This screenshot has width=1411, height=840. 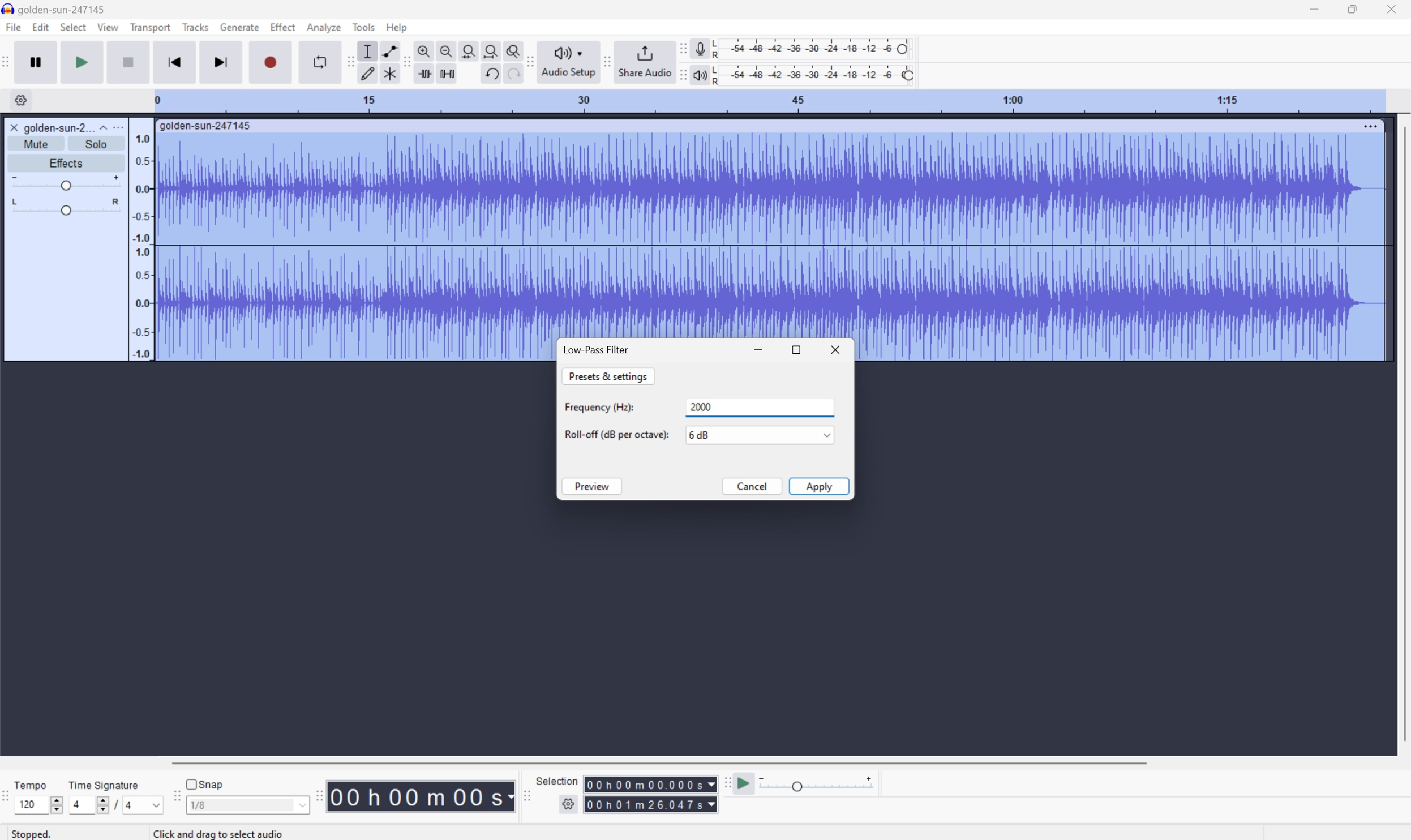 I want to click on Scroll Bar, so click(x=659, y=762).